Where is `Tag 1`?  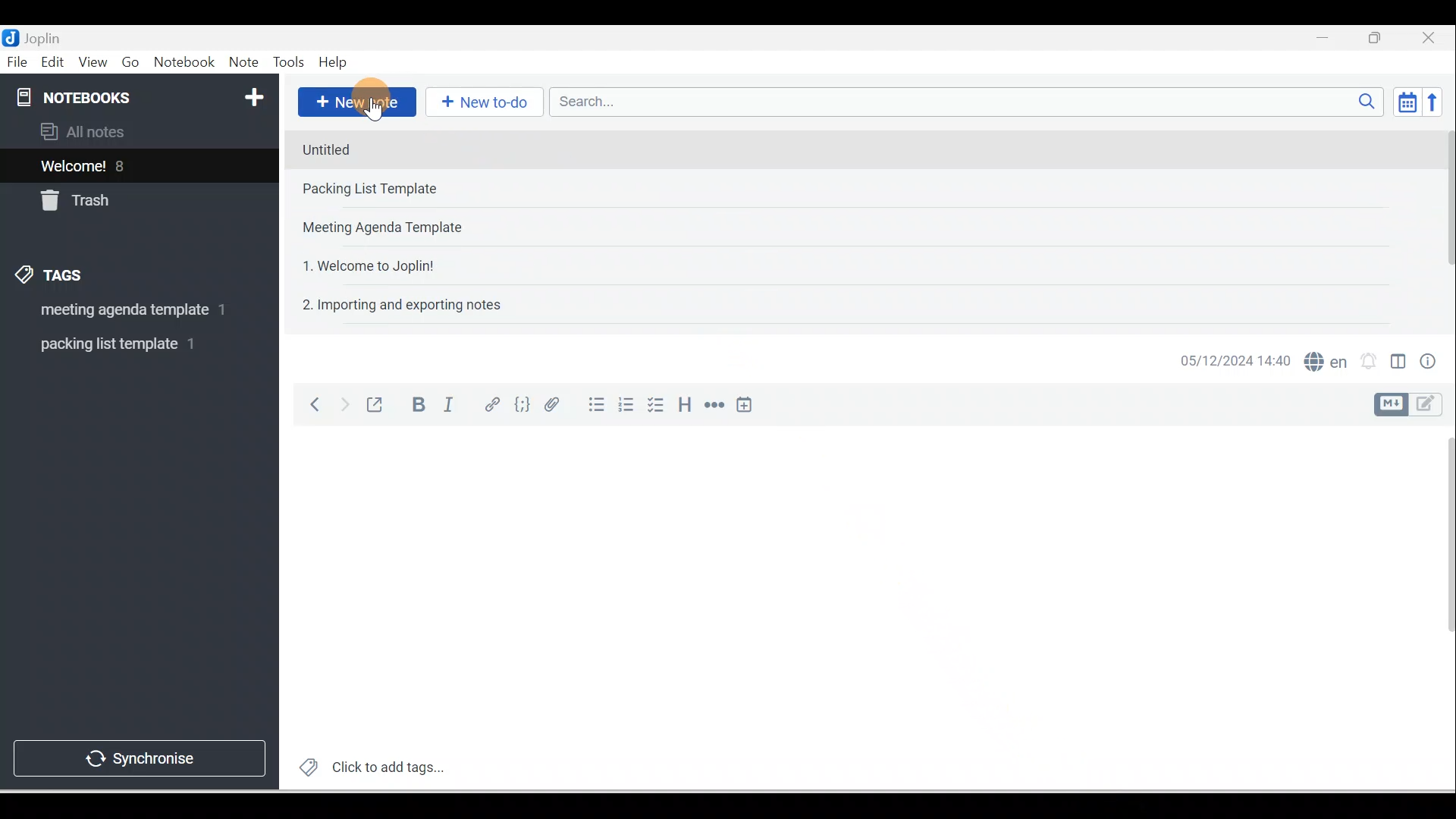
Tag 1 is located at coordinates (119, 311).